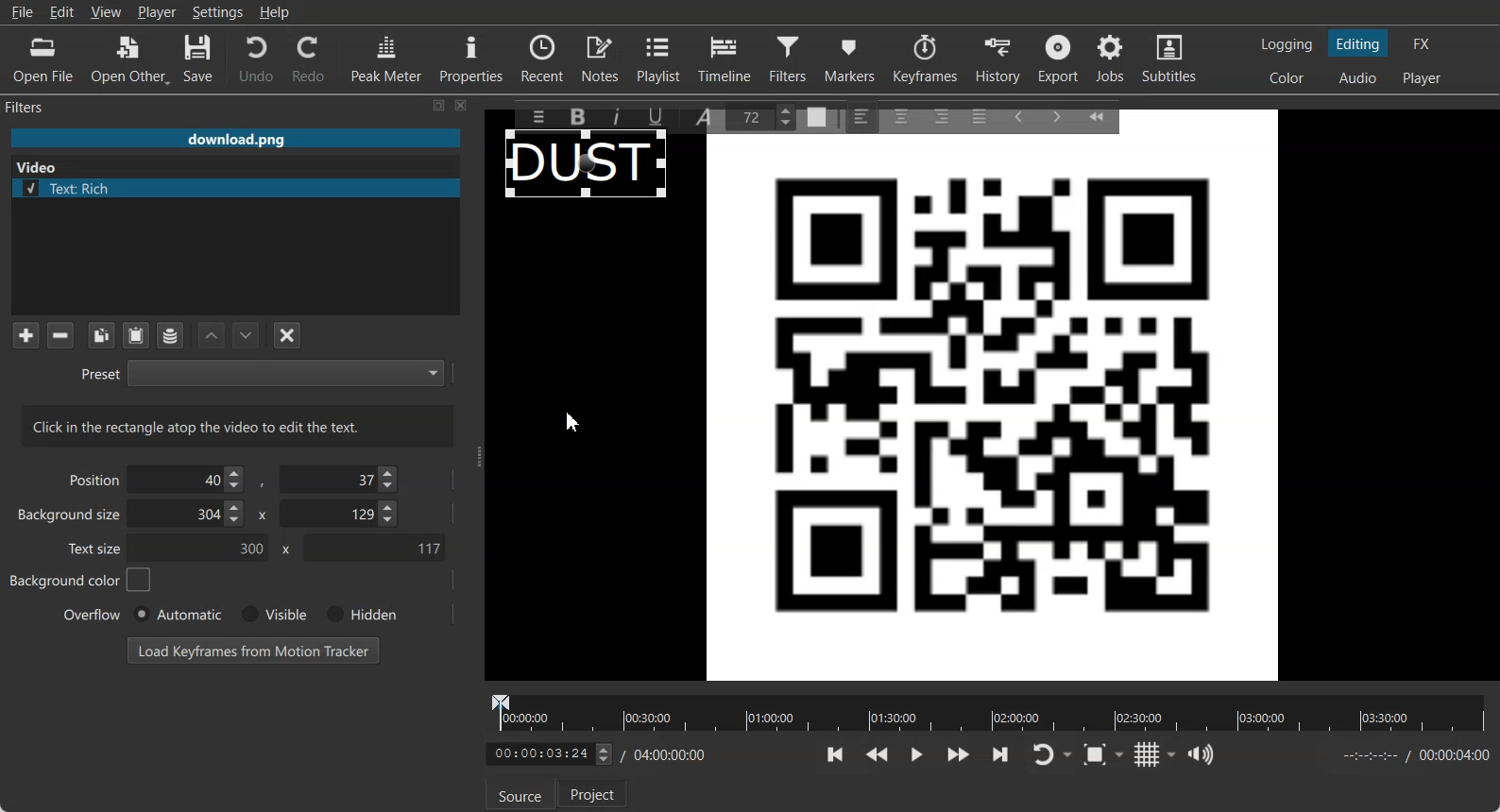 This screenshot has height=812, width=1500. I want to click on Italic, so click(620, 114).